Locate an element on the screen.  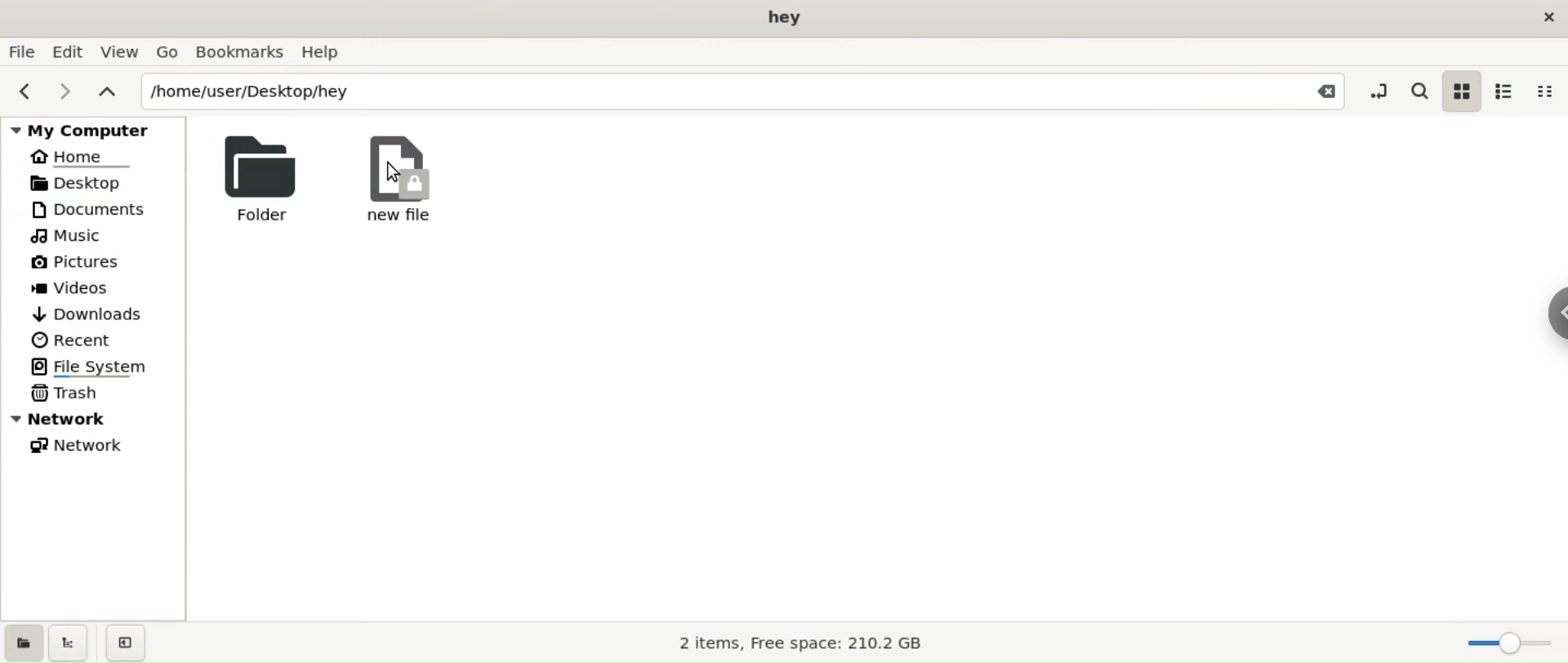
Help is located at coordinates (327, 52).